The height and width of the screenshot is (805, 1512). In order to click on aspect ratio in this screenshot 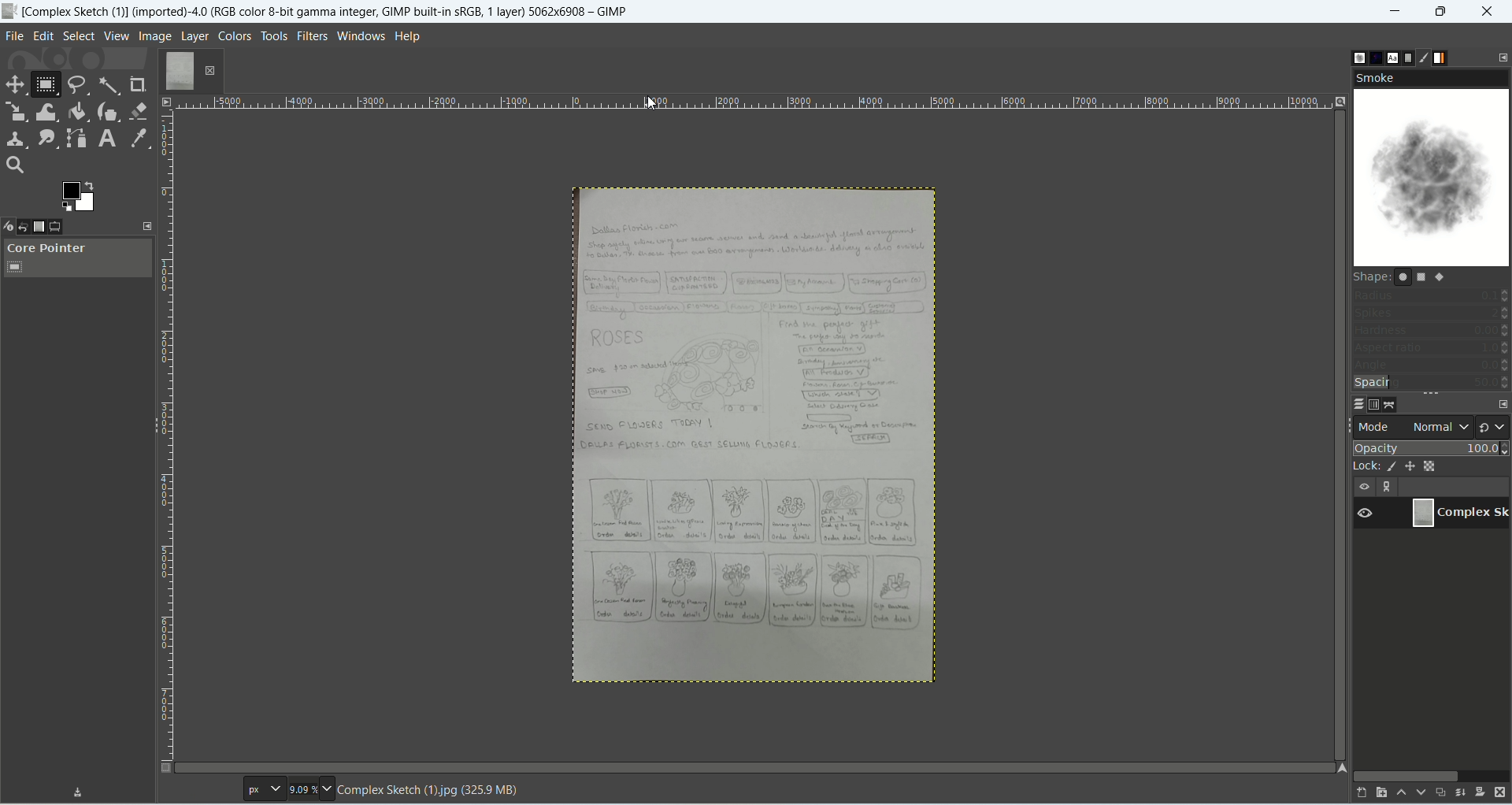, I will do `click(1432, 347)`.